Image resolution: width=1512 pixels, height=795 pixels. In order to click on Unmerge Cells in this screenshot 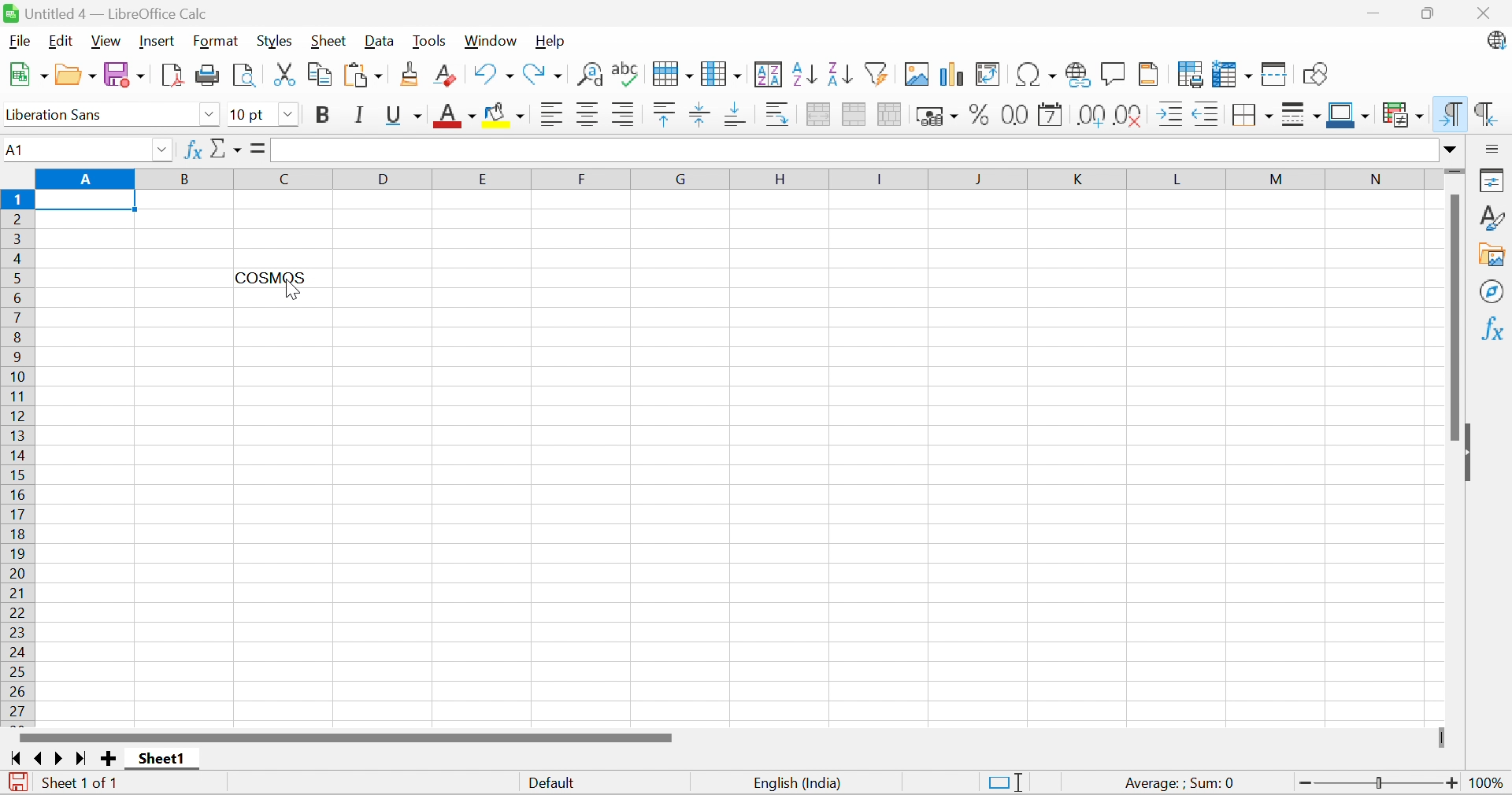, I will do `click(890, 115)`.